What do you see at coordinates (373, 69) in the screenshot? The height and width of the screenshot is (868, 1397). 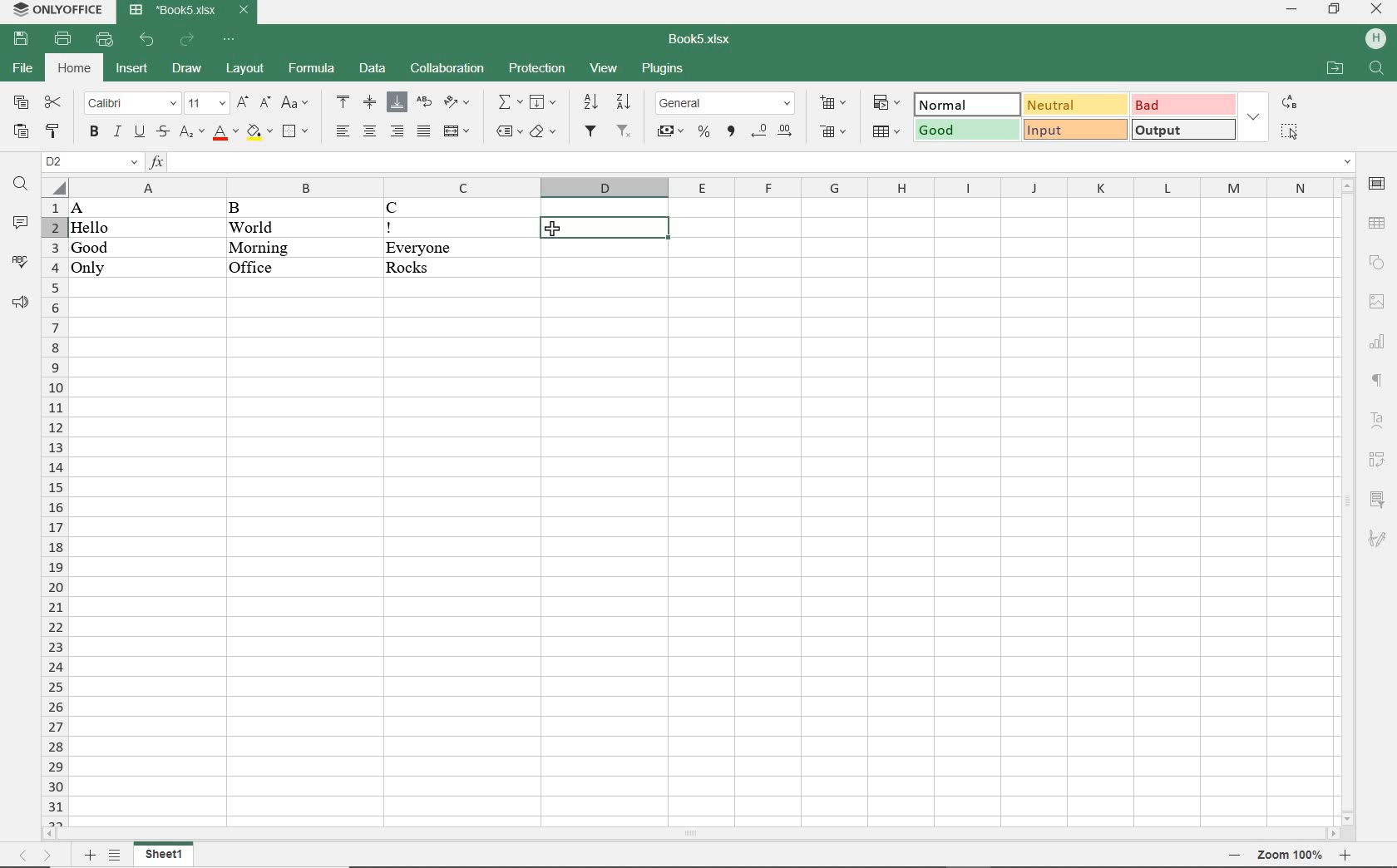 I see `data` at bounding box center [373, 69].